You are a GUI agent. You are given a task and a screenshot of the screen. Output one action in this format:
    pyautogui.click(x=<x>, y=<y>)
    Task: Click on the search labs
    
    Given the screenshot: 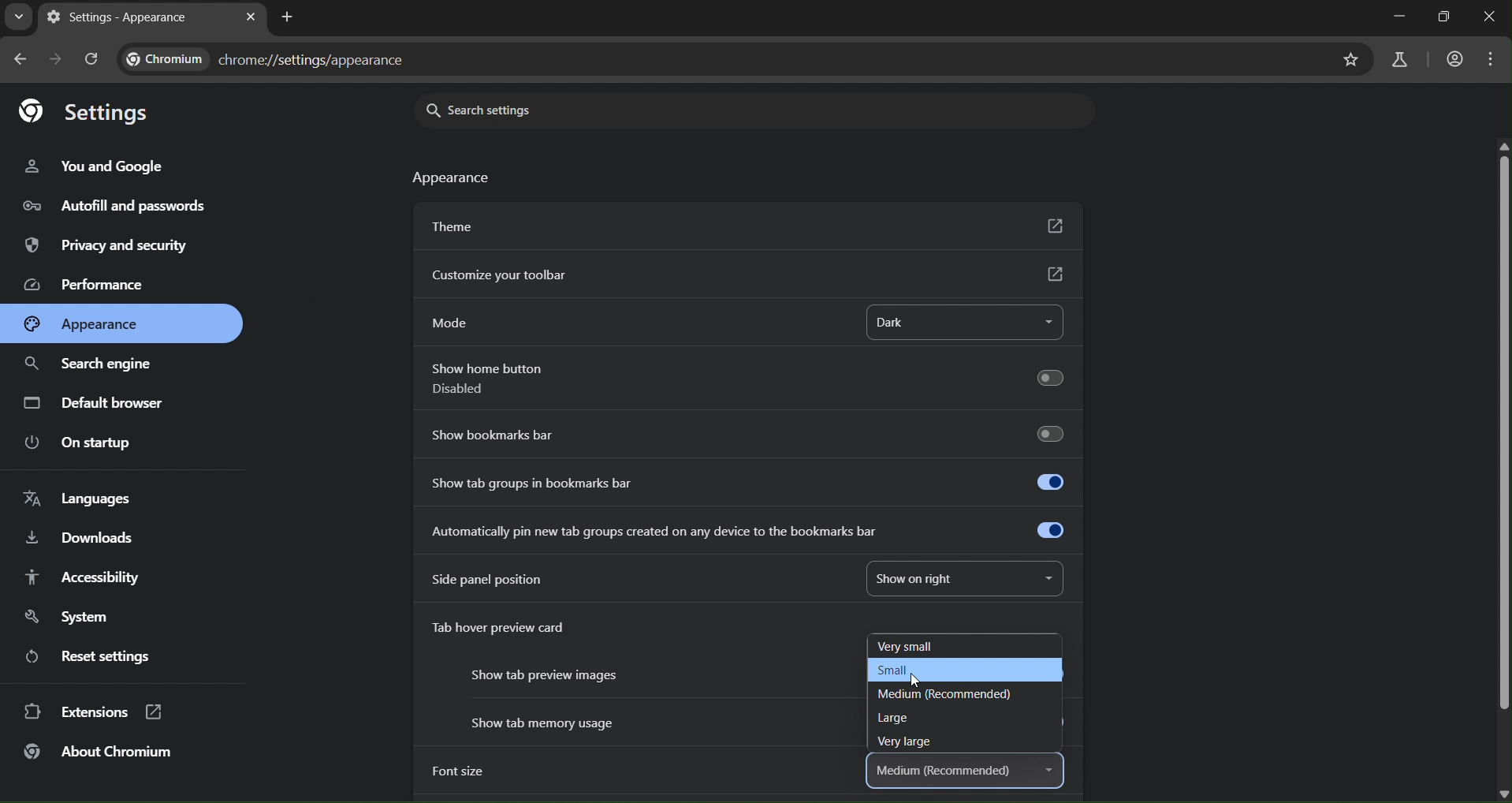 What is the action you would take?
    pyautogui.click(x=1395, y=60)
    